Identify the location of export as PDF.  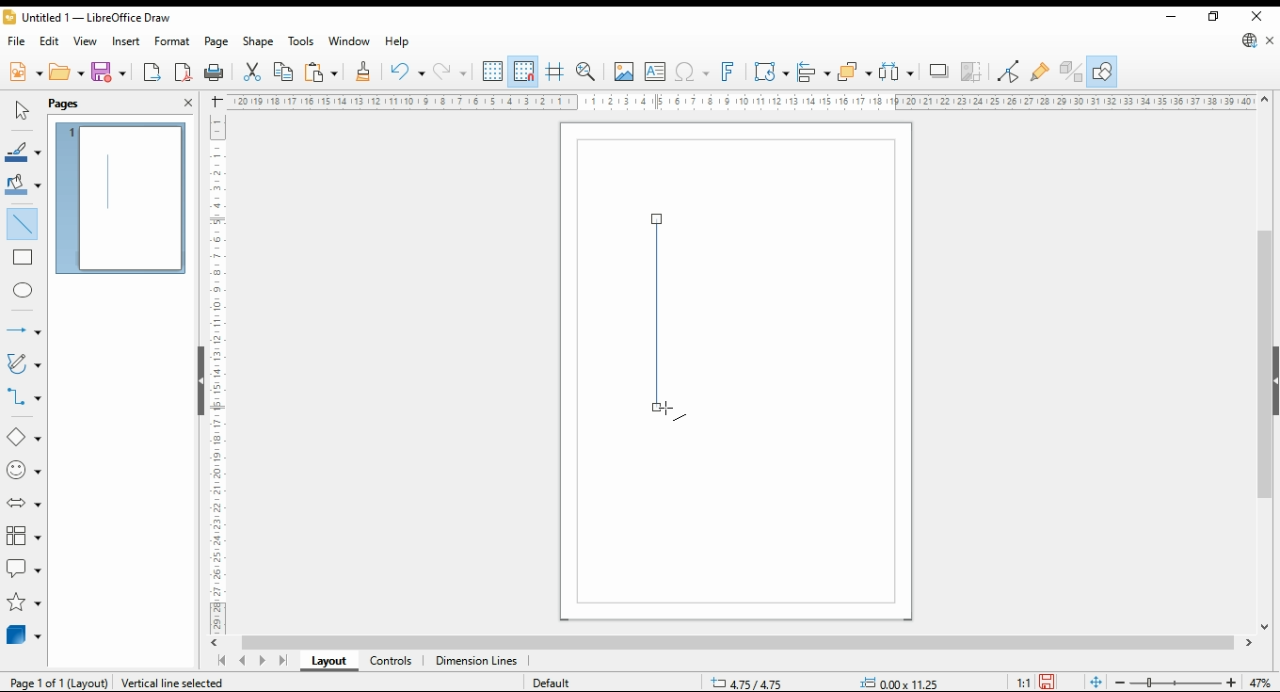
(183, 72).